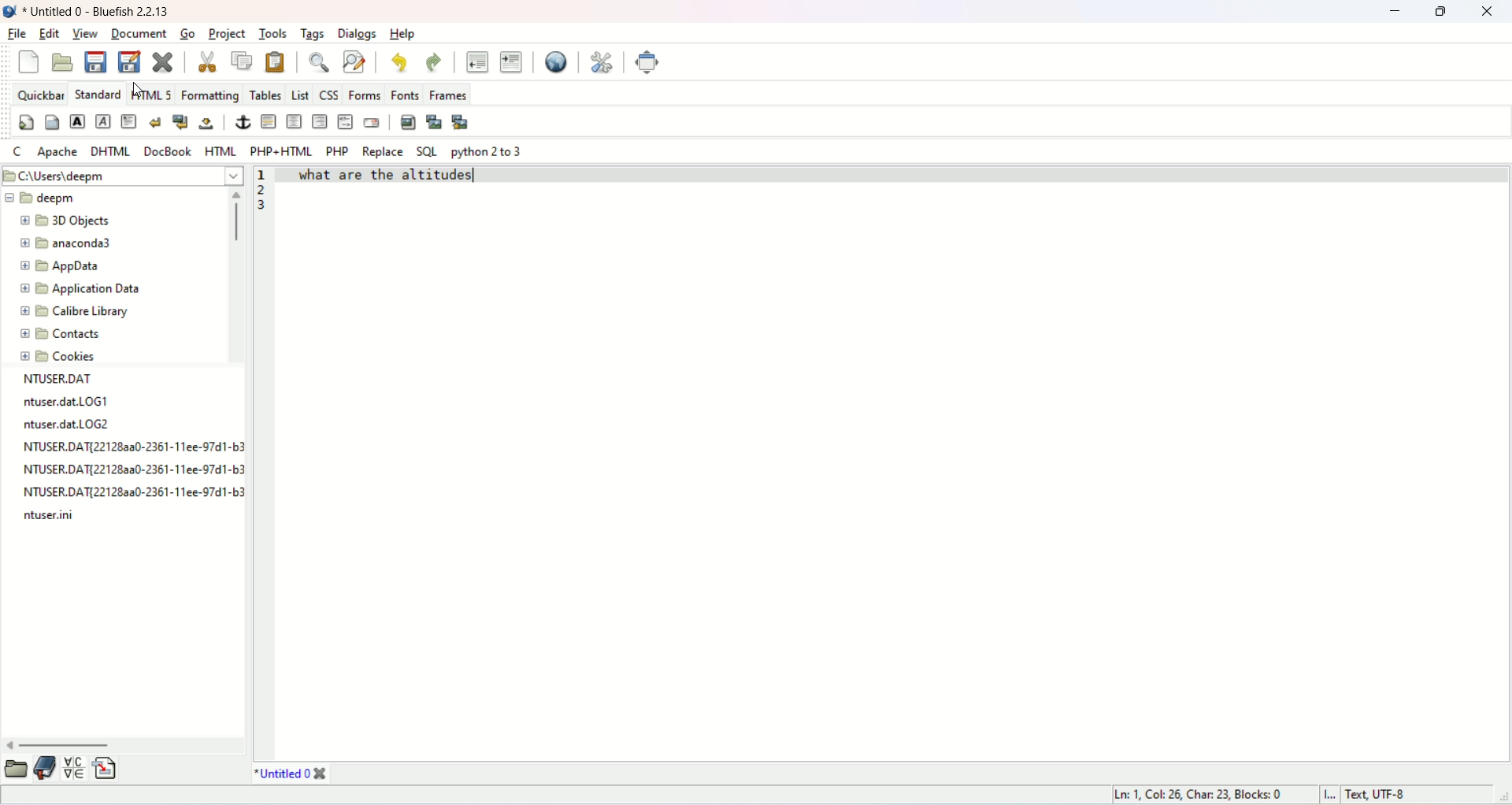  I want to click on PHP, so click(336, 150).